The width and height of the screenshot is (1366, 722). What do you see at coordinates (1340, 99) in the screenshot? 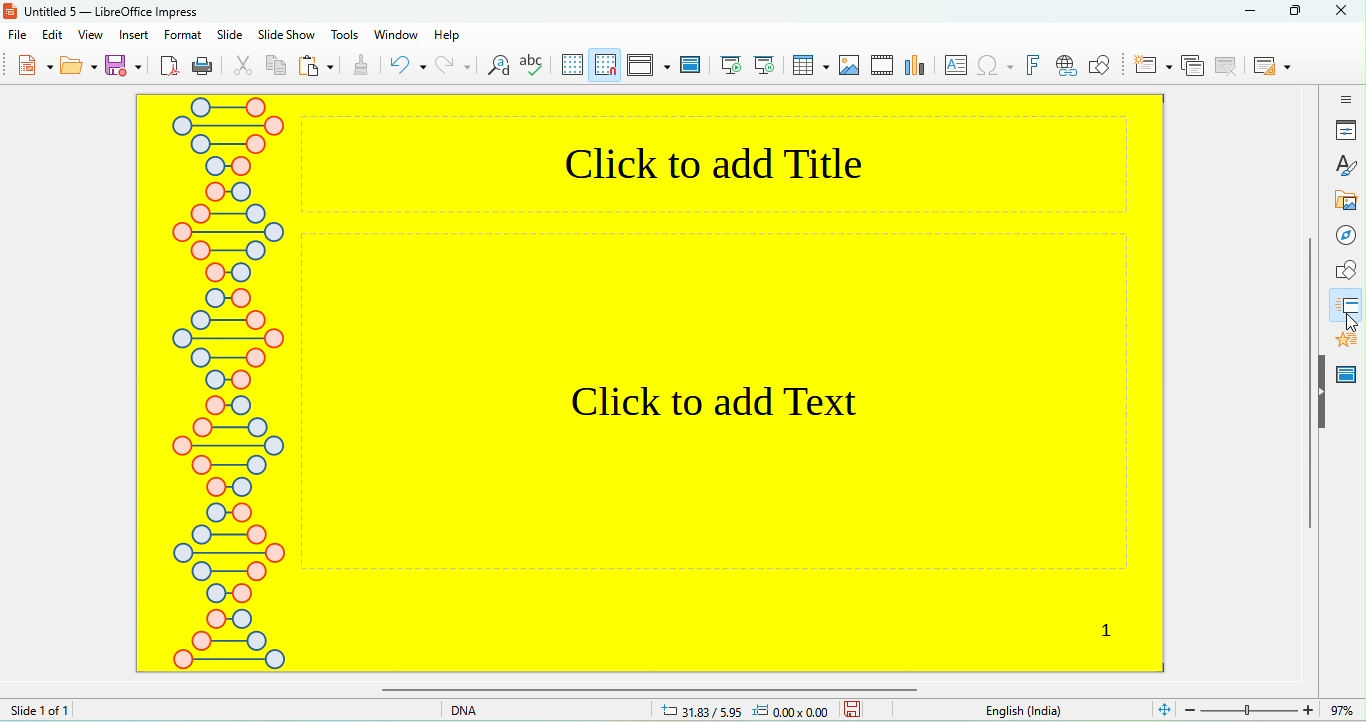
I see `sidebar setting` at bounding box center [1340, 99].